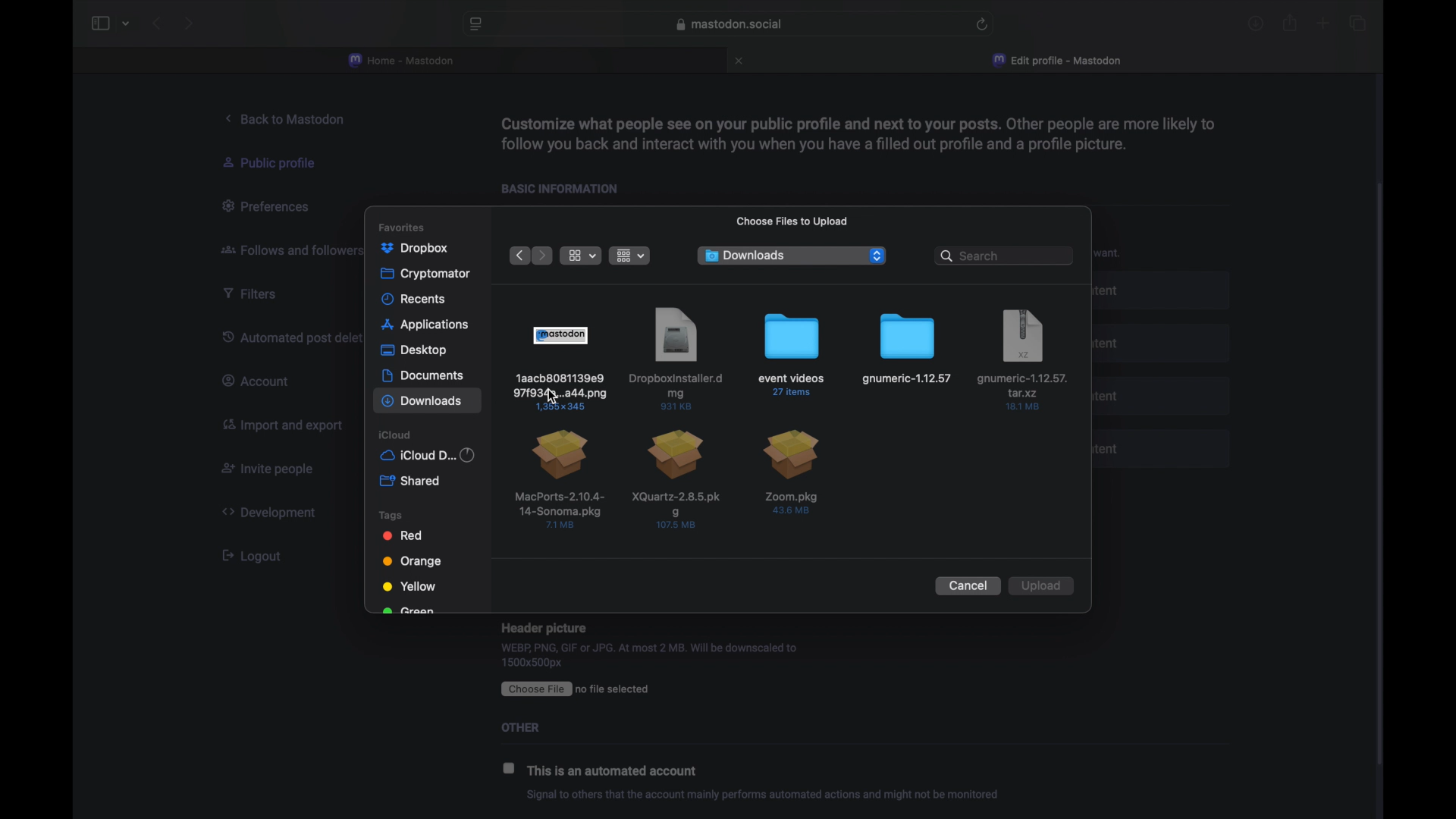 The width and height of the screenshot is (1456, 819). I want to click on import and export, so click(281, 427).